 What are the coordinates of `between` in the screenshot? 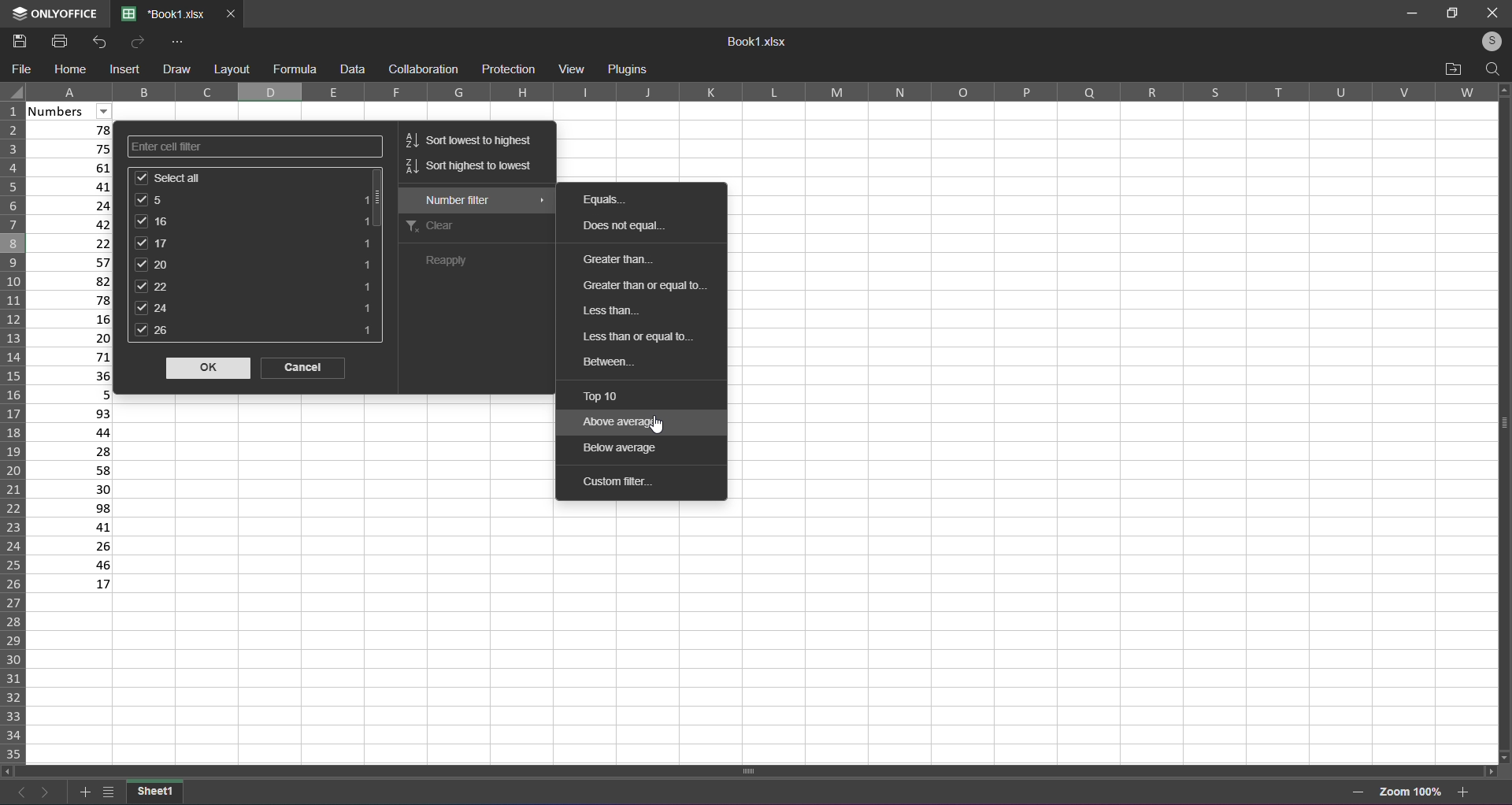 It's located at (645, 362).